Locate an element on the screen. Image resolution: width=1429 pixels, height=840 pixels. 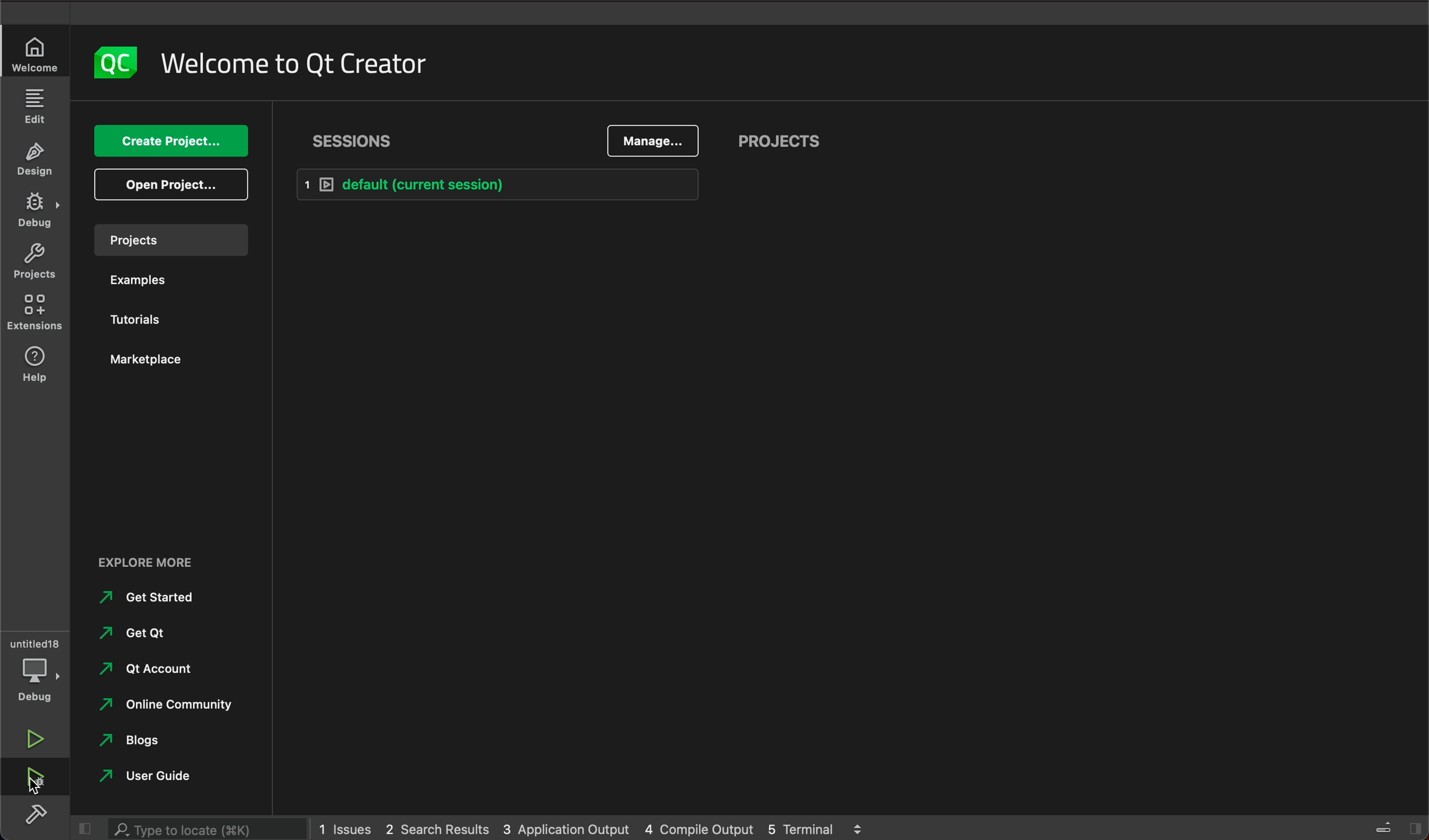
marketplace is located at coordinates (171, 360).